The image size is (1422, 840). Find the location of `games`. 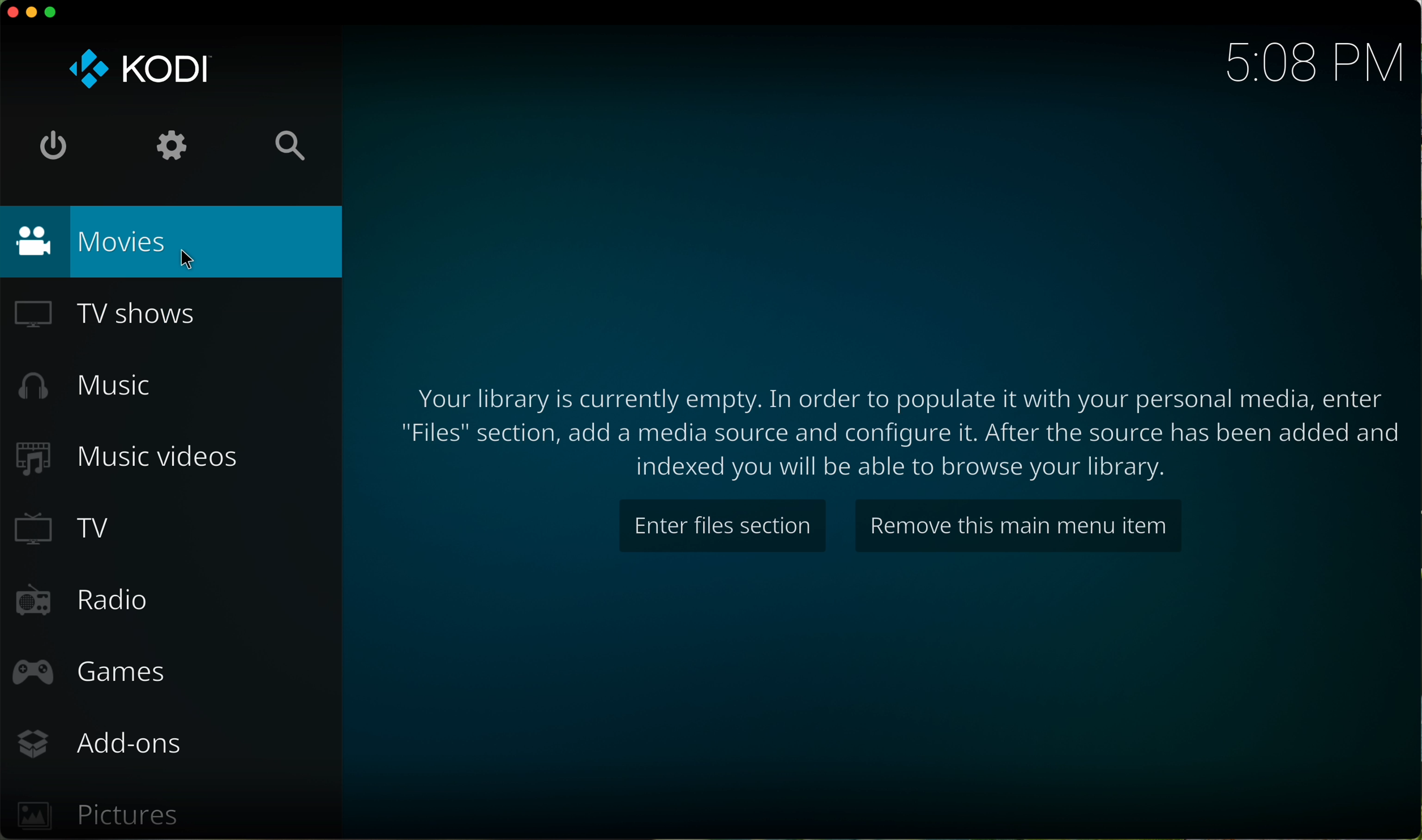

games is located at coordinates (91, 672).